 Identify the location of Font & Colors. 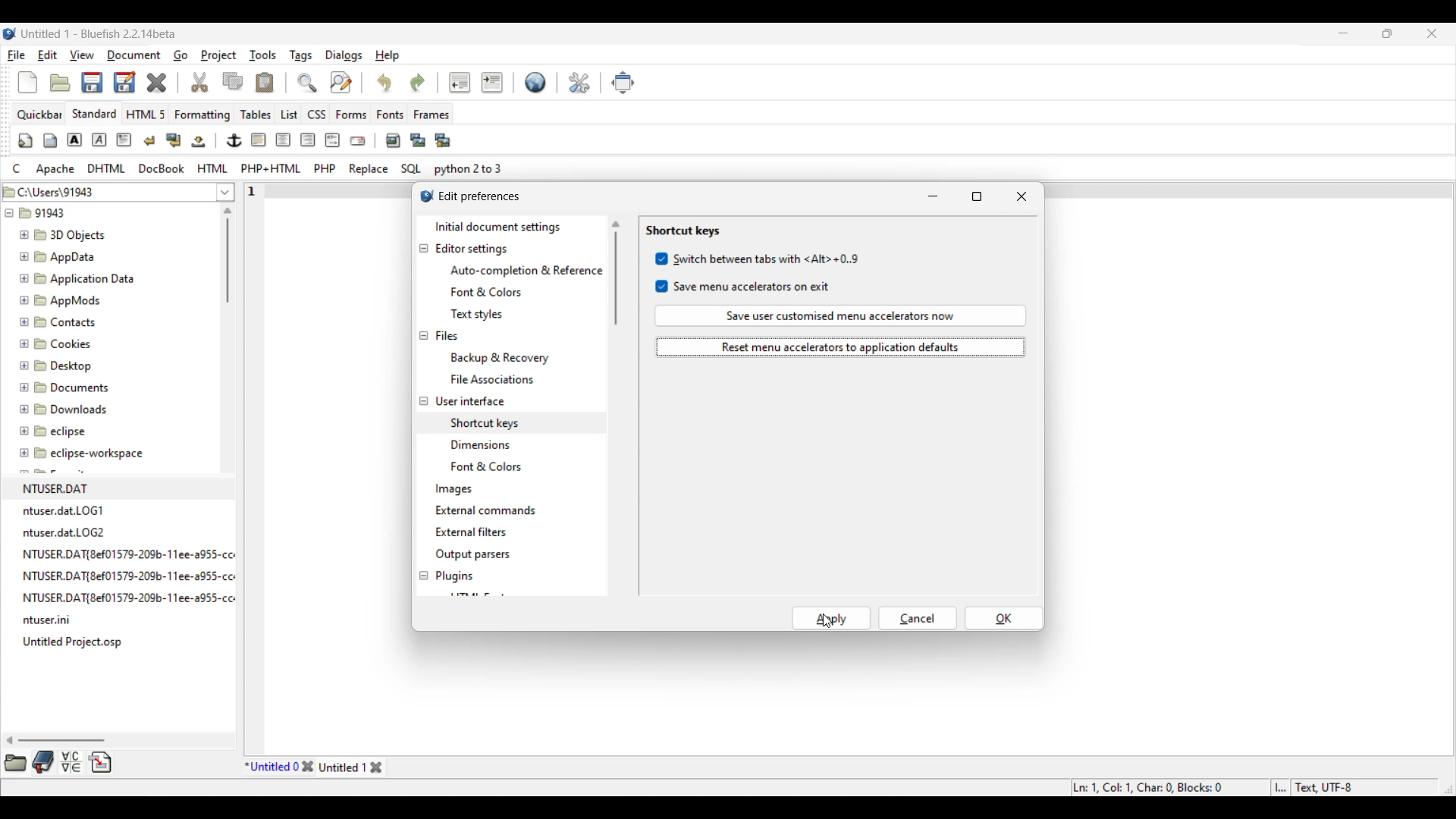
(492, 467).